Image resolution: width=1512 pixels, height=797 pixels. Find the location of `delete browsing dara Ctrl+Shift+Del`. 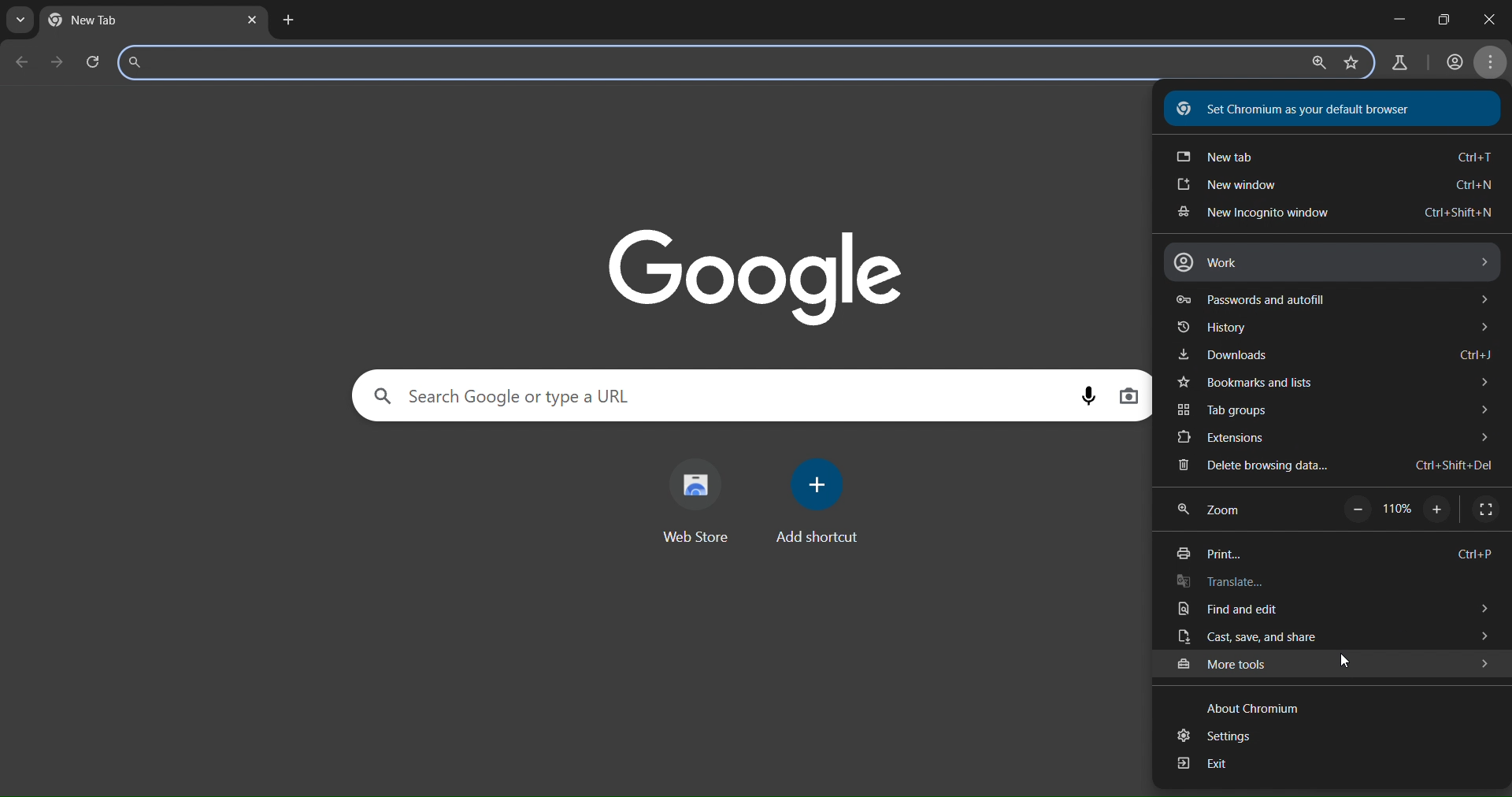

delete browsing dara Ctrl+Shift+Del is located at coordinates (1333, 466).